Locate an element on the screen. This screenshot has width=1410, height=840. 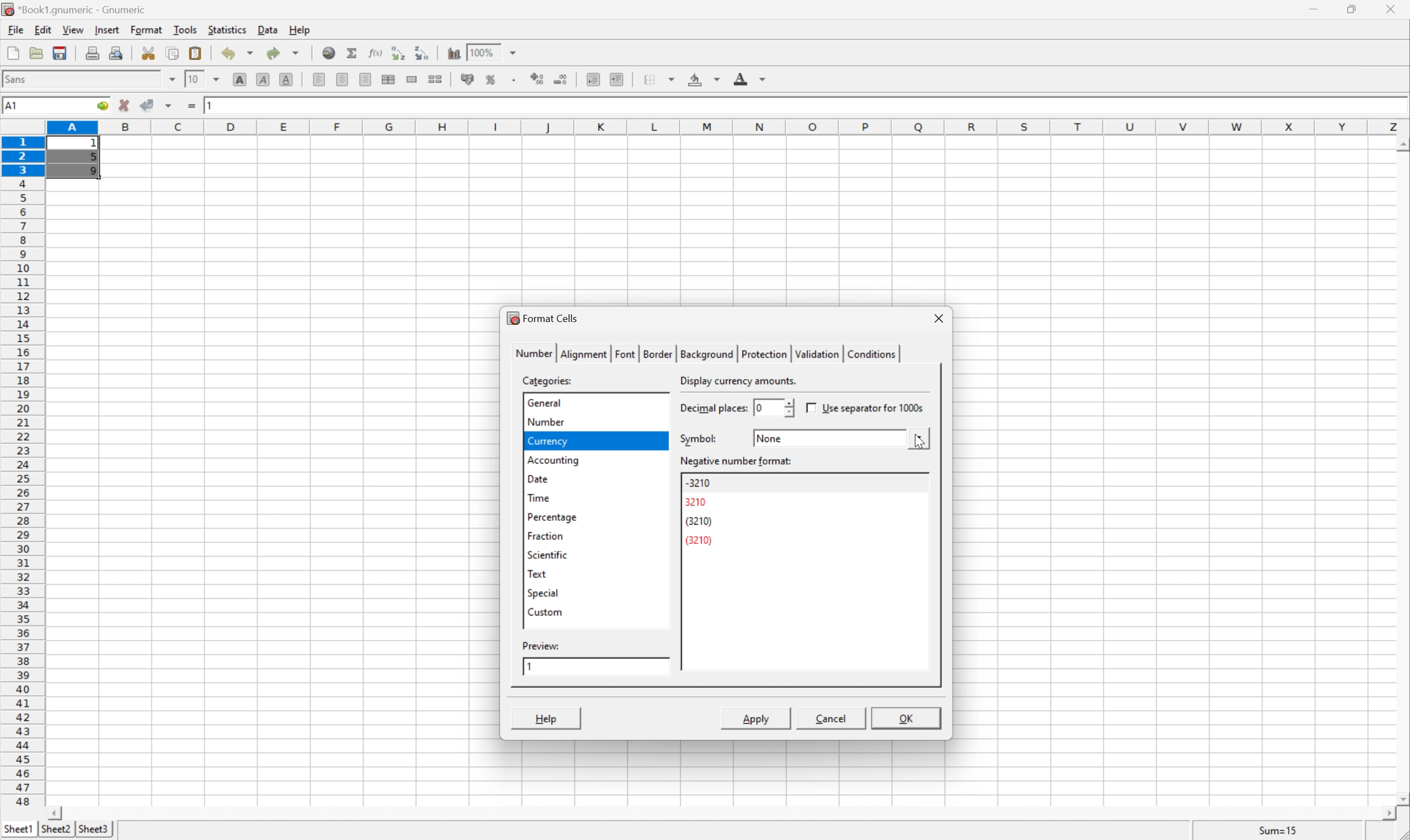
100% is located at coordinates (481, 52).